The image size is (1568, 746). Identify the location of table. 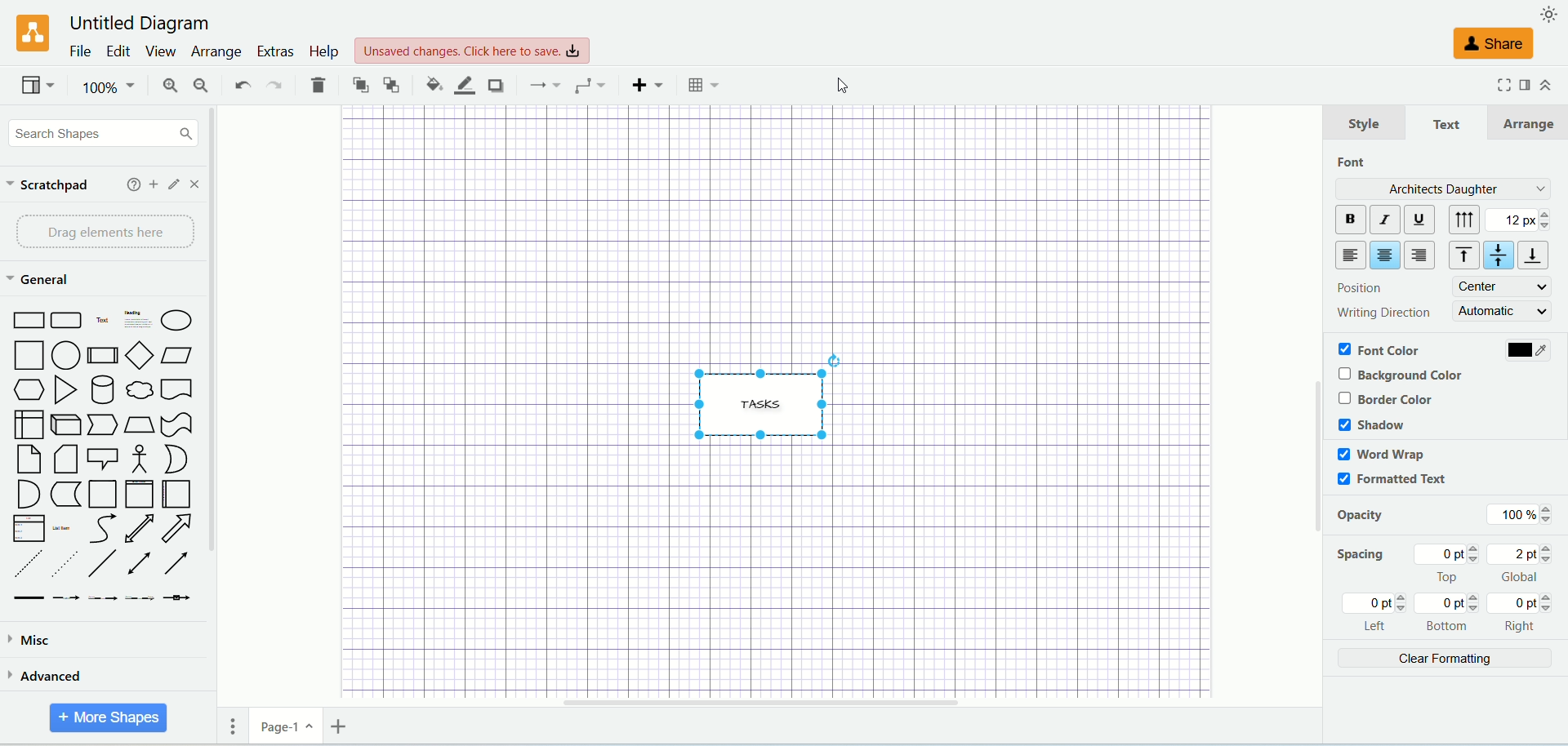
(706, 85).